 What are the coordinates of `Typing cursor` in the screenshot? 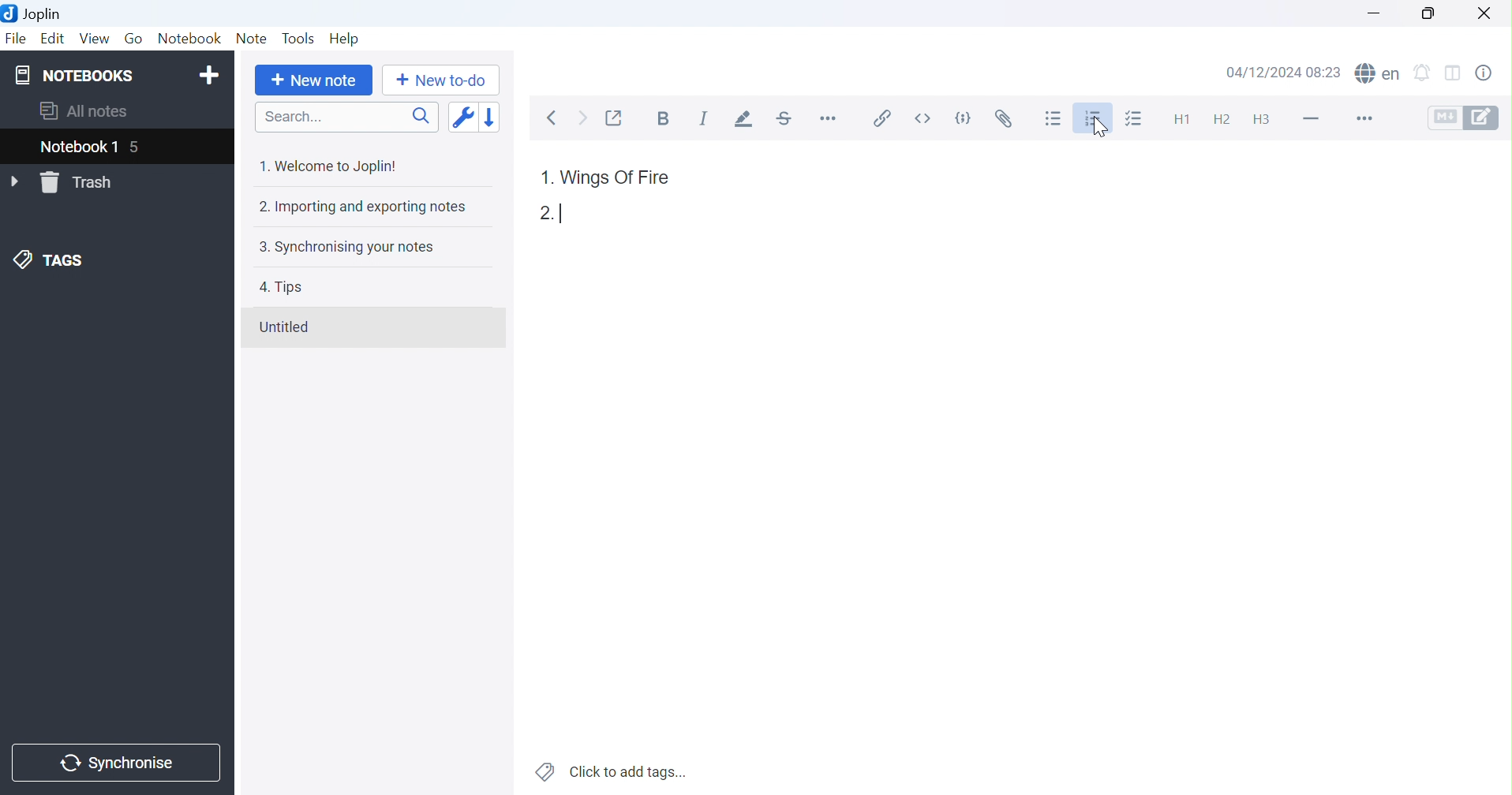 It's located at (566, 212).